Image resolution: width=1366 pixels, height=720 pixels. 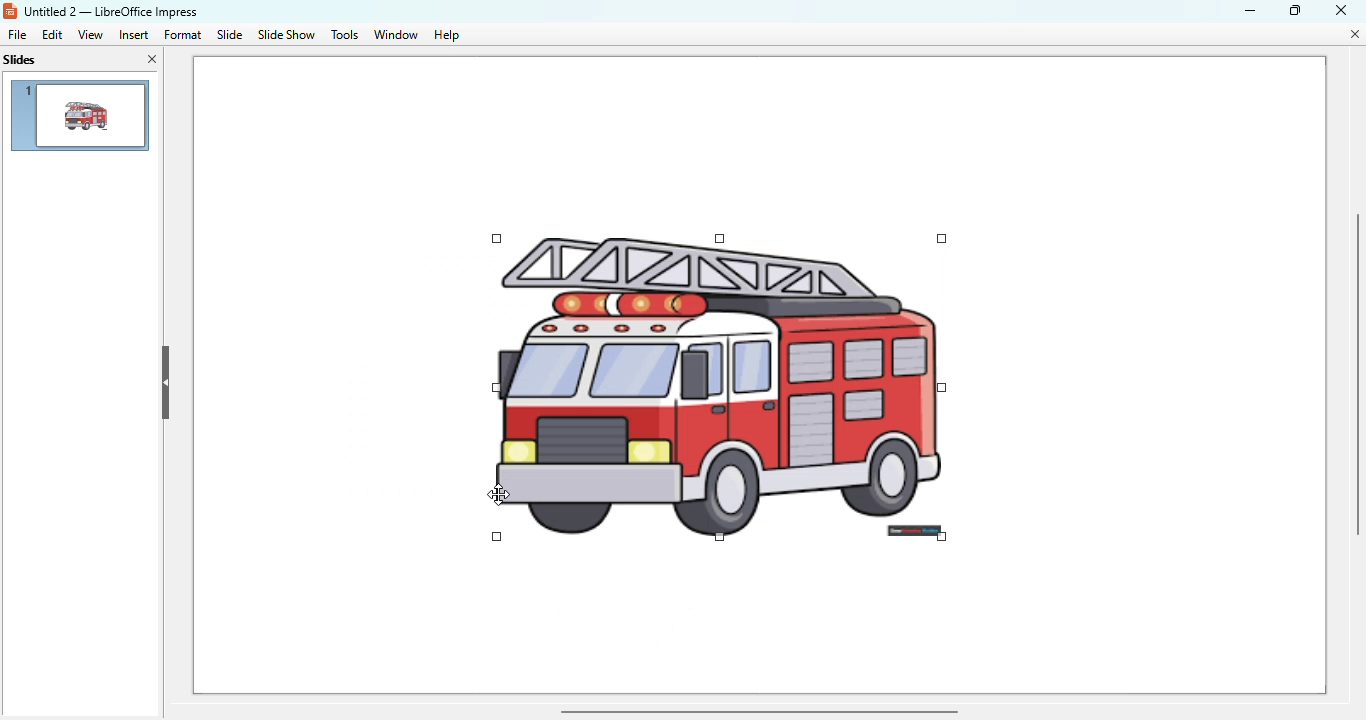 What do you see at coordinates (499, 494) in the screenshot?
I see `mouse up` at bounding box center [499, 494].